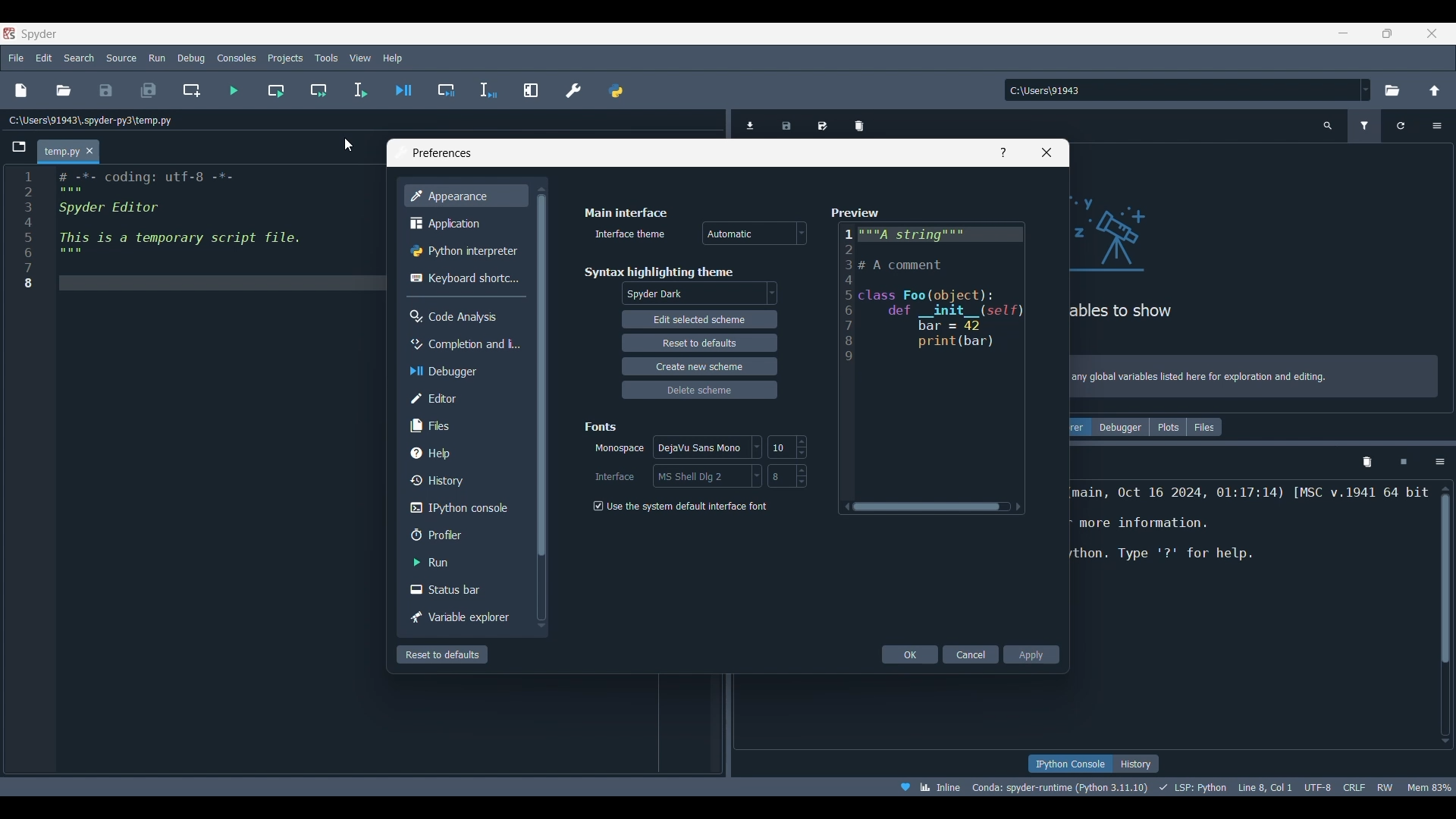 This screenshot has height=819, width=1456. I want to click on UTF-8, so click(1316, 787).